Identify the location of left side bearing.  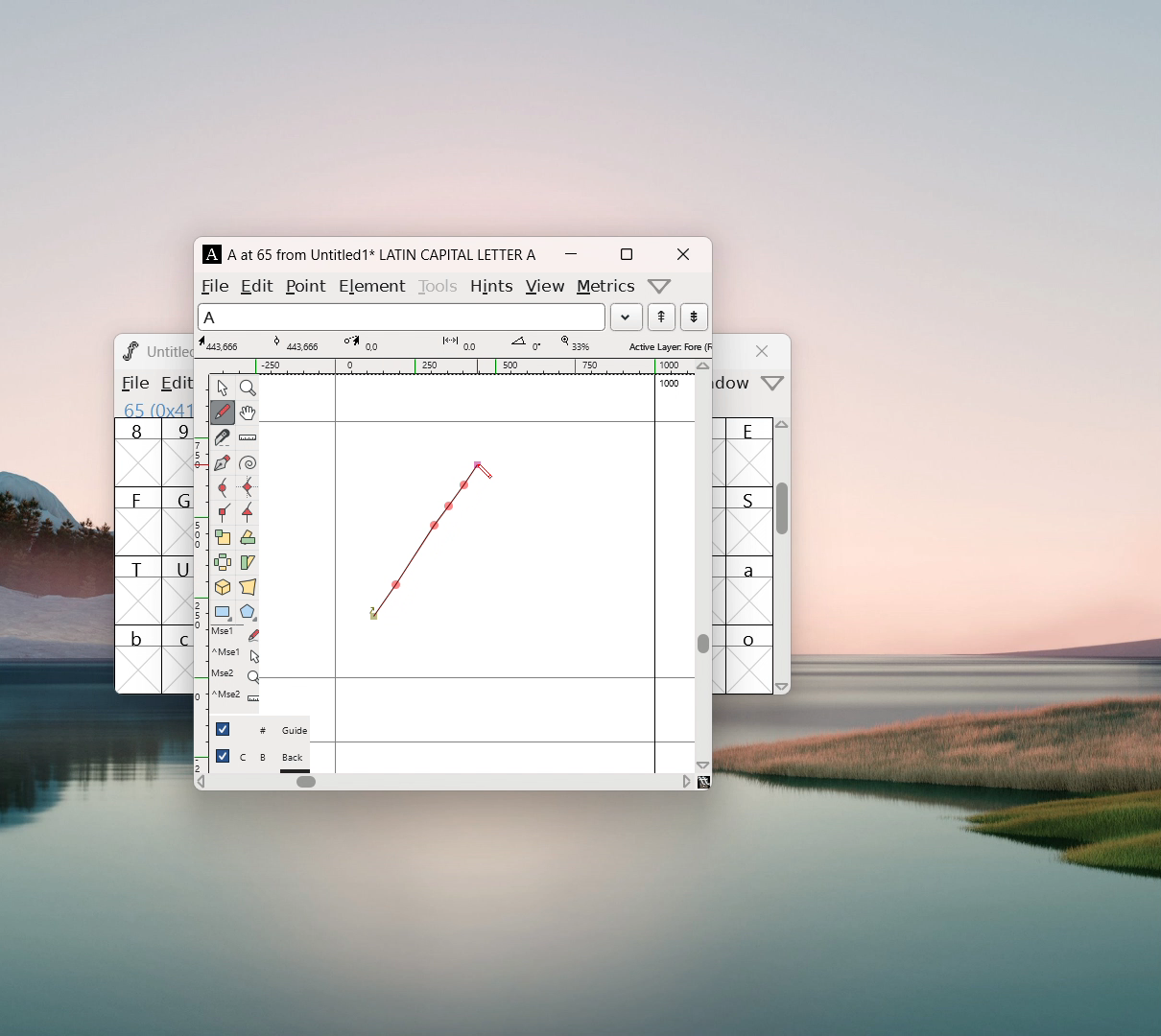
(336, 573).